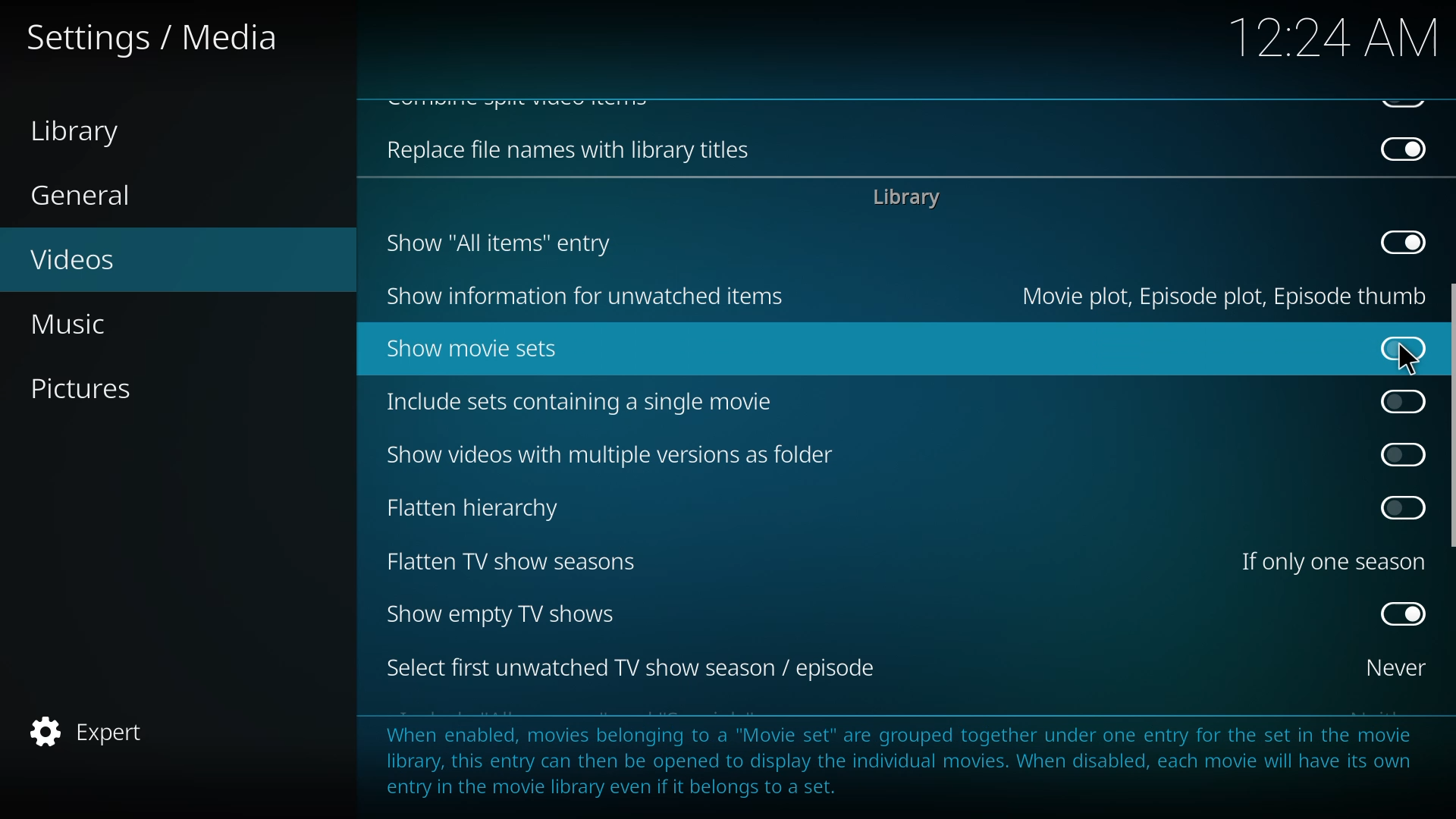  What do you see at coordinates (89, 323) in the screenshot?
I see `music` at bounding box center [89, 323].